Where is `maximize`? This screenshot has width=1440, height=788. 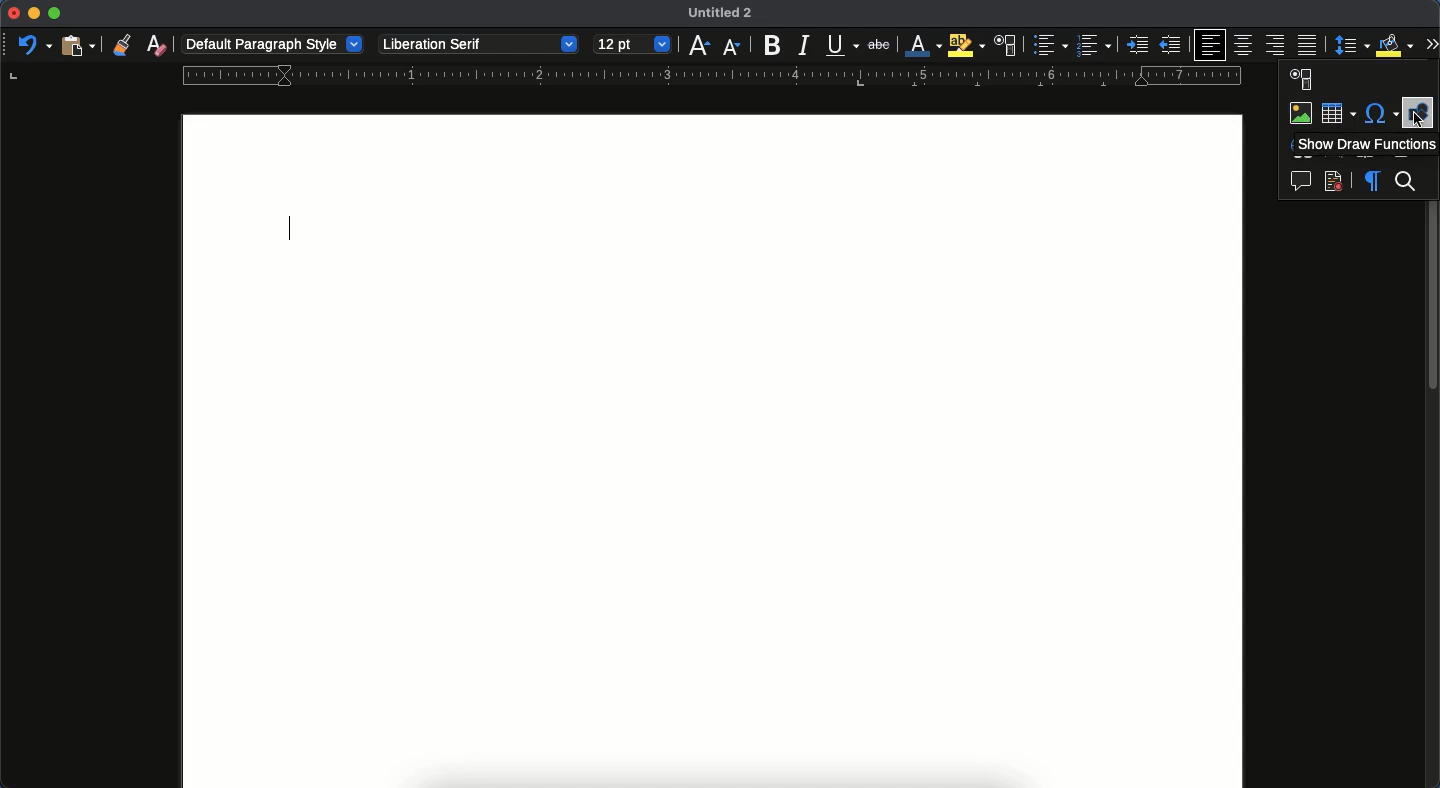
maximize is located at coordinates (54, 14).